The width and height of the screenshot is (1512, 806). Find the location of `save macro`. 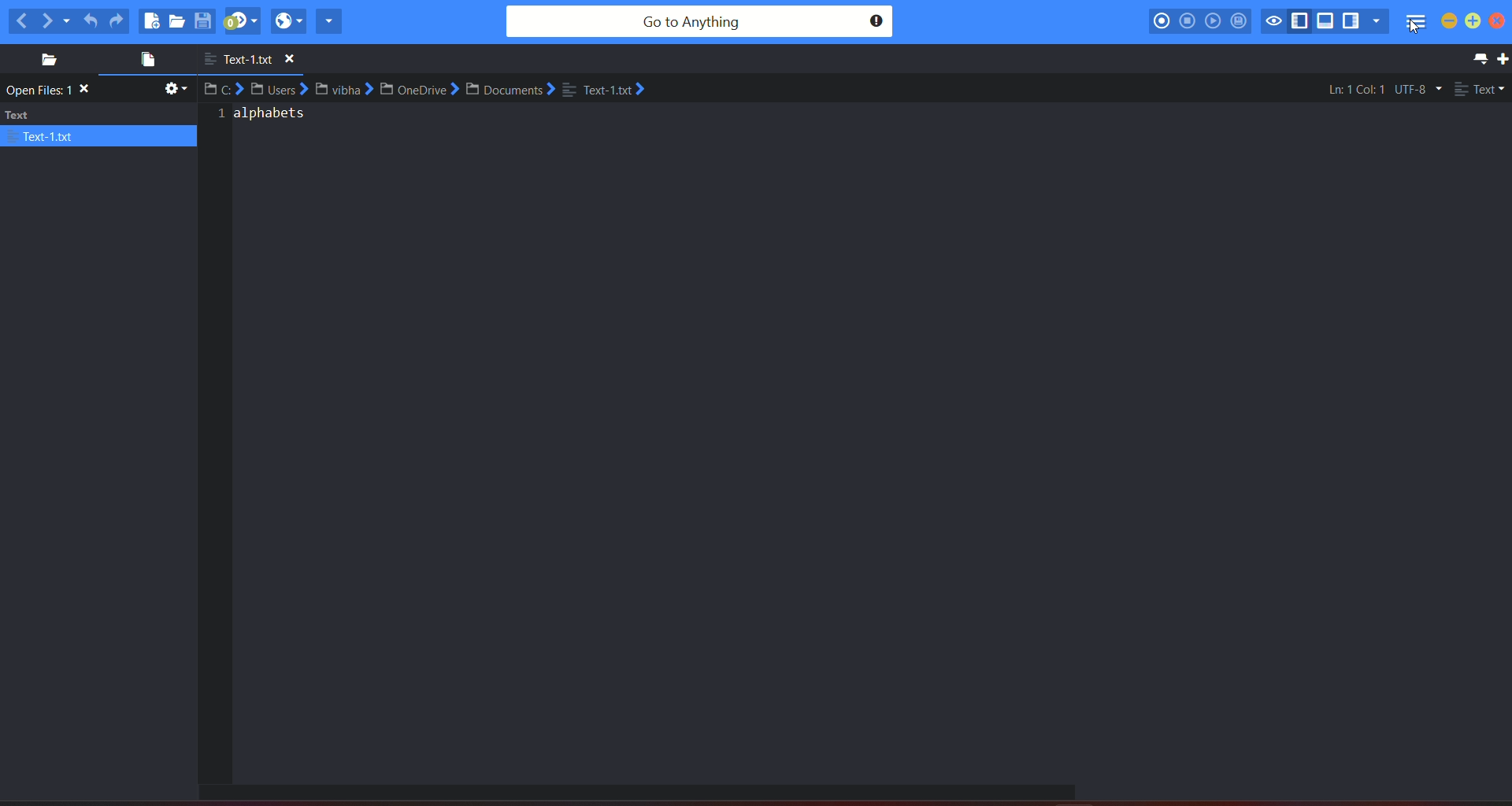

save macro is located at coordinates (1239, 22).